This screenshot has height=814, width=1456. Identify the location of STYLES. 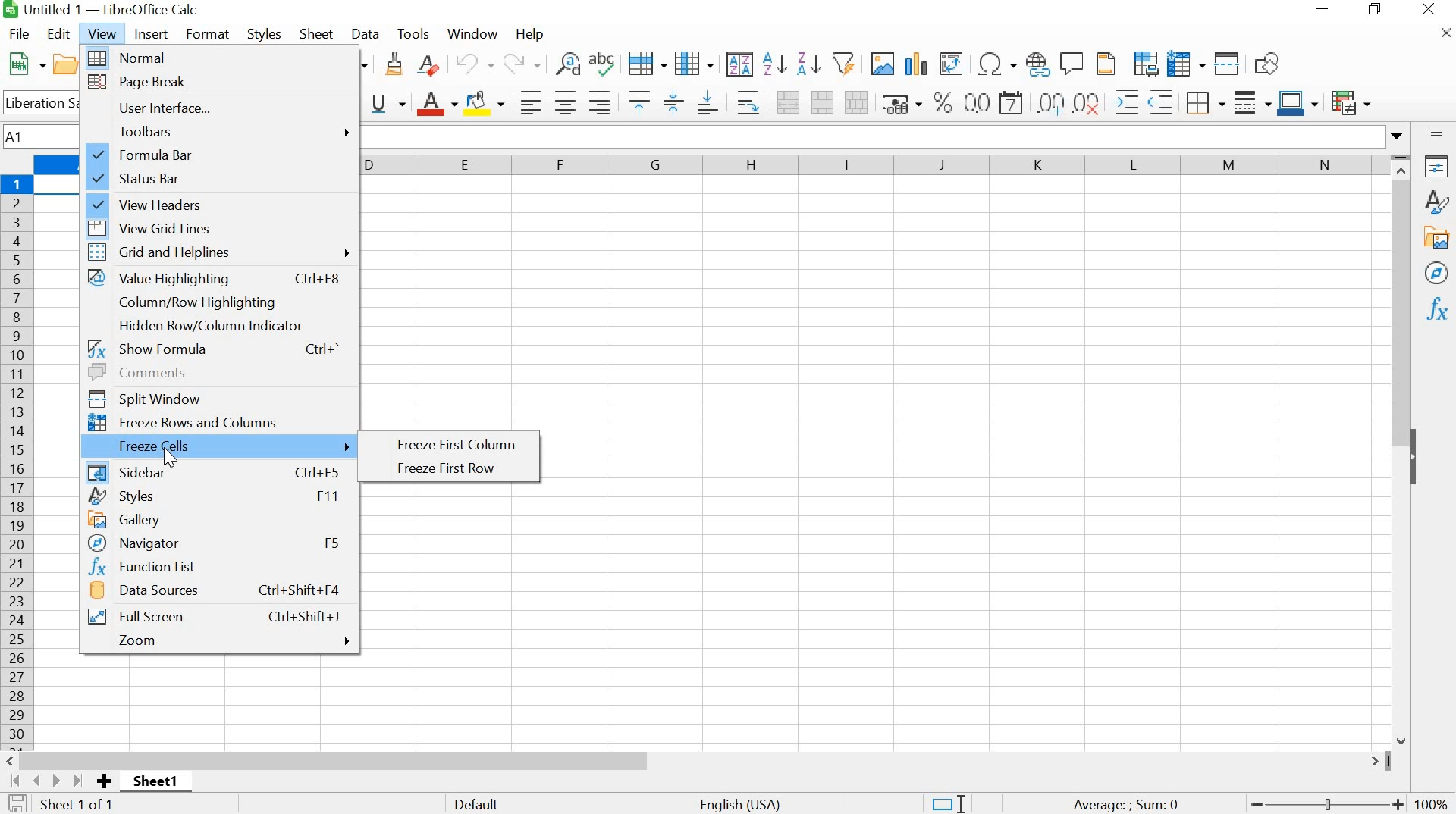
(1436, 202).